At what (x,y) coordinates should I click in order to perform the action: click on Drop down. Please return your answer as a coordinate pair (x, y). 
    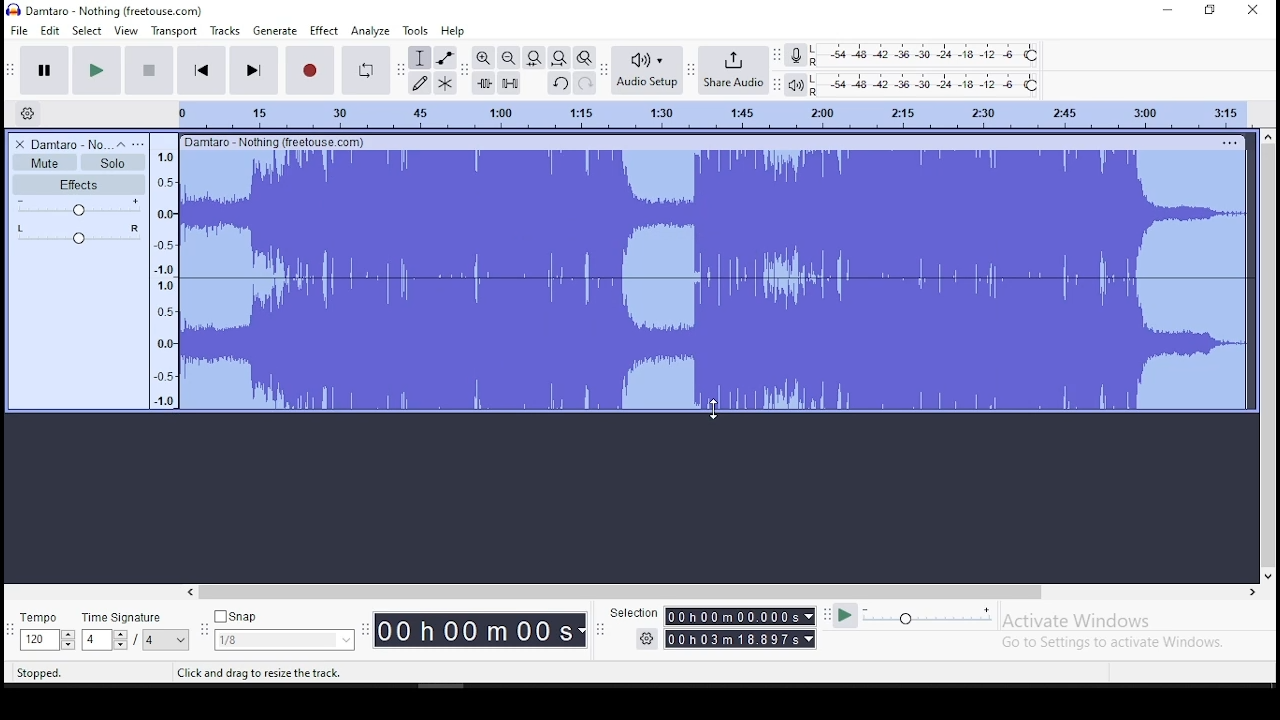
    Looking at the image, I should click on (345, 638).